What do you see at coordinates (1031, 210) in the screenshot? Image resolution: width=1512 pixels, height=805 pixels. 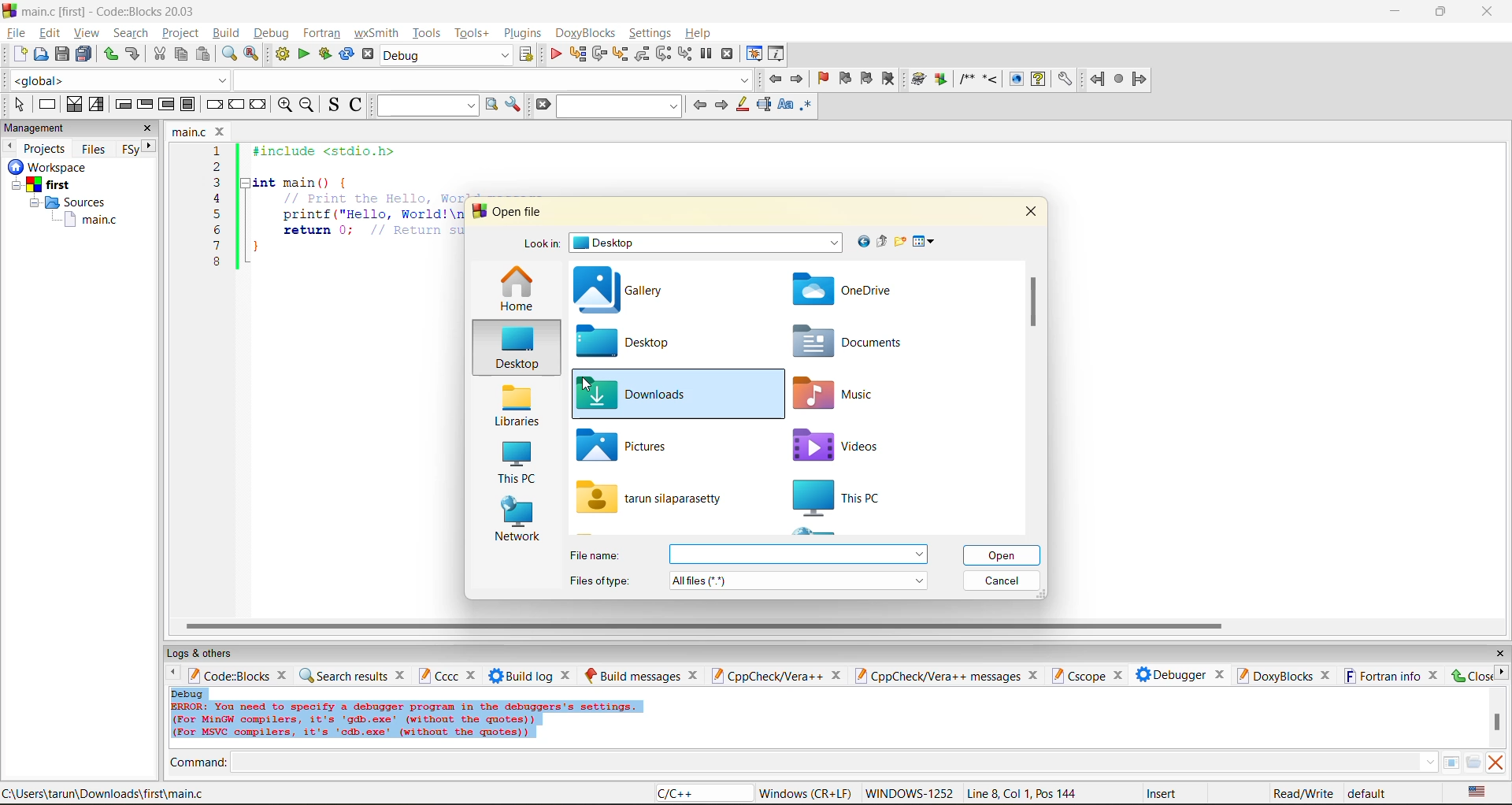 I see `close` at bounding box center [1031, 210].